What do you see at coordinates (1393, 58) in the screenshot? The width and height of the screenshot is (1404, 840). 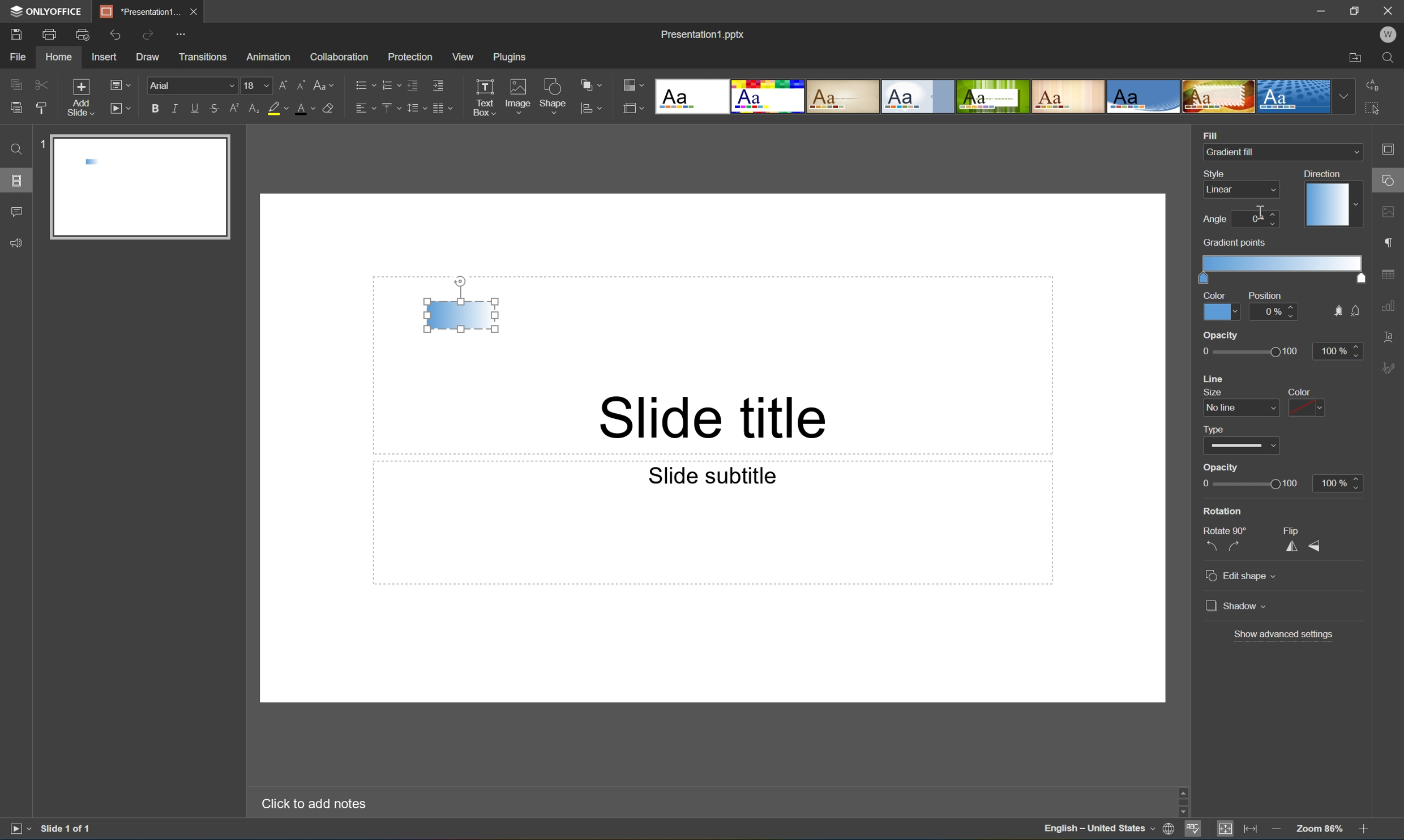 I see `Find` at bounding box center [1393, 58].